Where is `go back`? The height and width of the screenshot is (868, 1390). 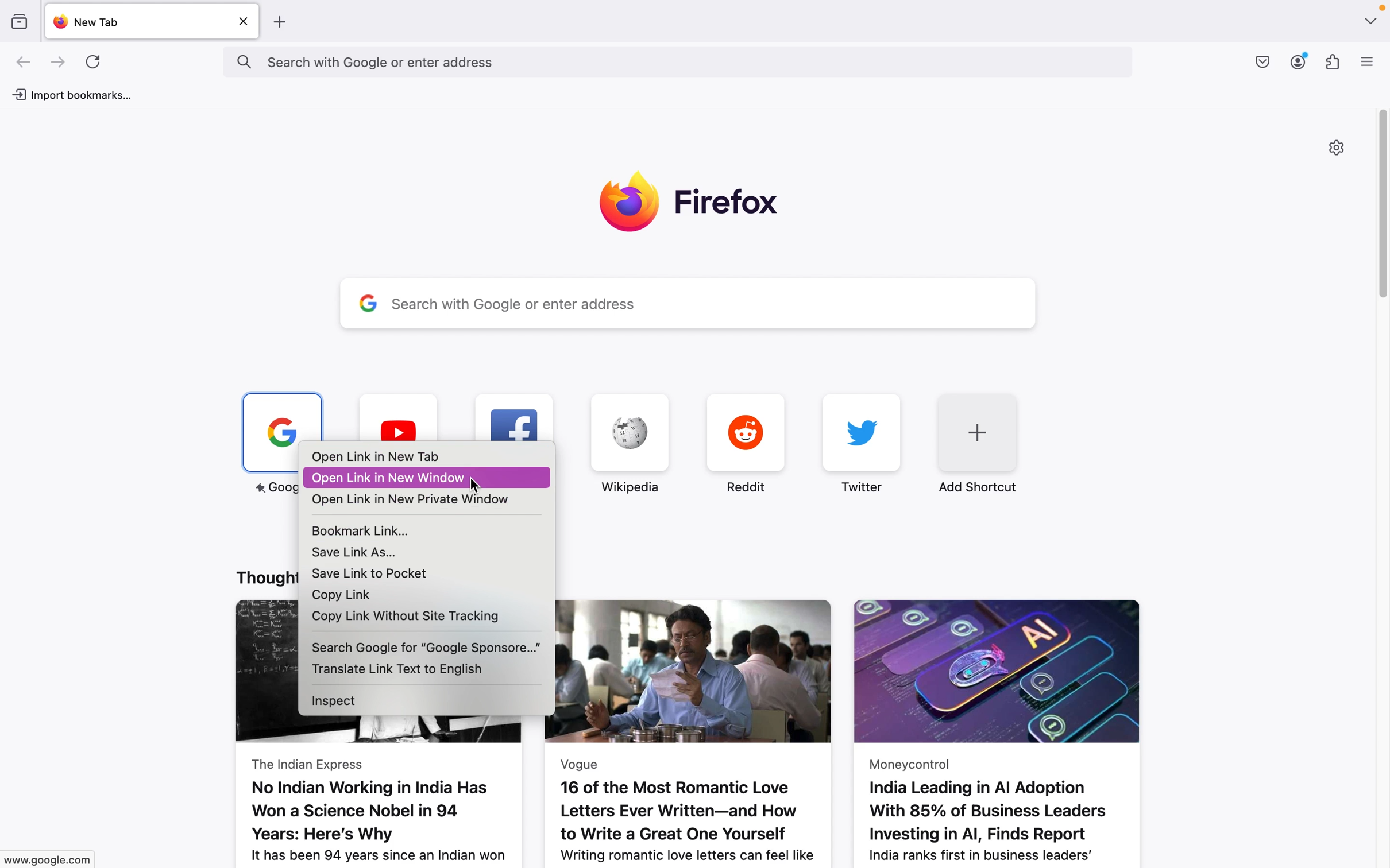
go back is located at coordinates (24, 63).